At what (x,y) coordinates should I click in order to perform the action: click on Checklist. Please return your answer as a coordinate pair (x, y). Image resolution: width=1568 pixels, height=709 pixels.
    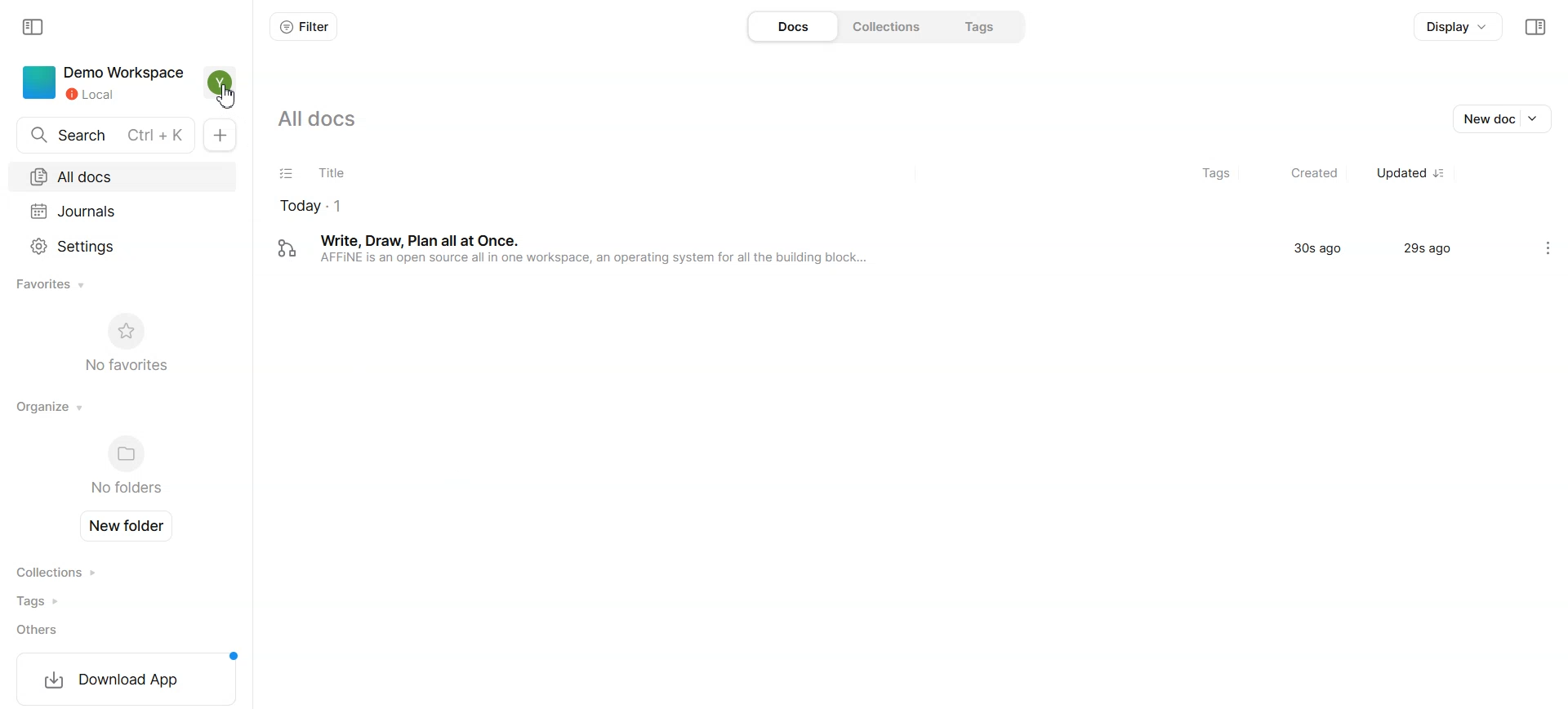
    Looking at the image, I should click on (287, 173).